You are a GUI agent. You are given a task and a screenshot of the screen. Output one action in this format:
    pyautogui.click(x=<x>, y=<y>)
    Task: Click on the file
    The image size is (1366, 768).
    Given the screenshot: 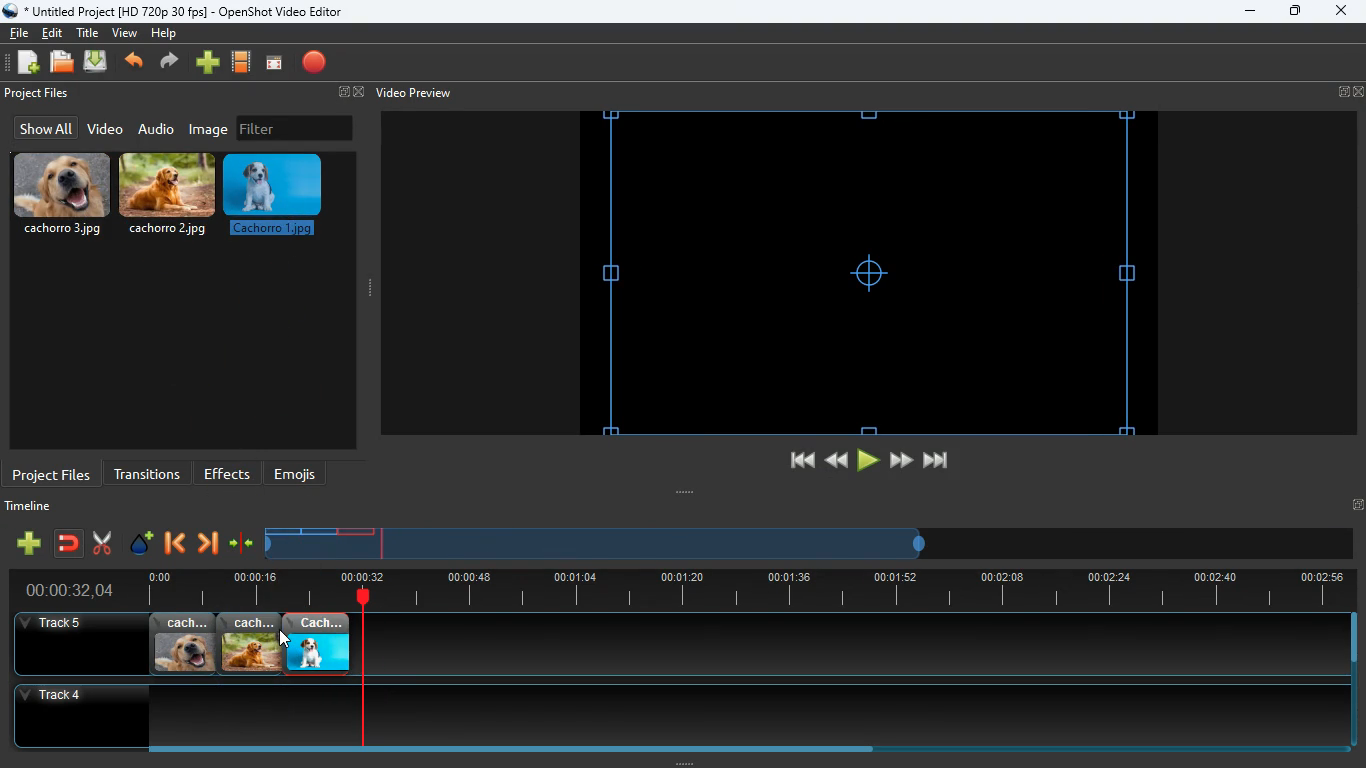 What is the action you would take?
    pyautogui.click(x=19, y=31)
    